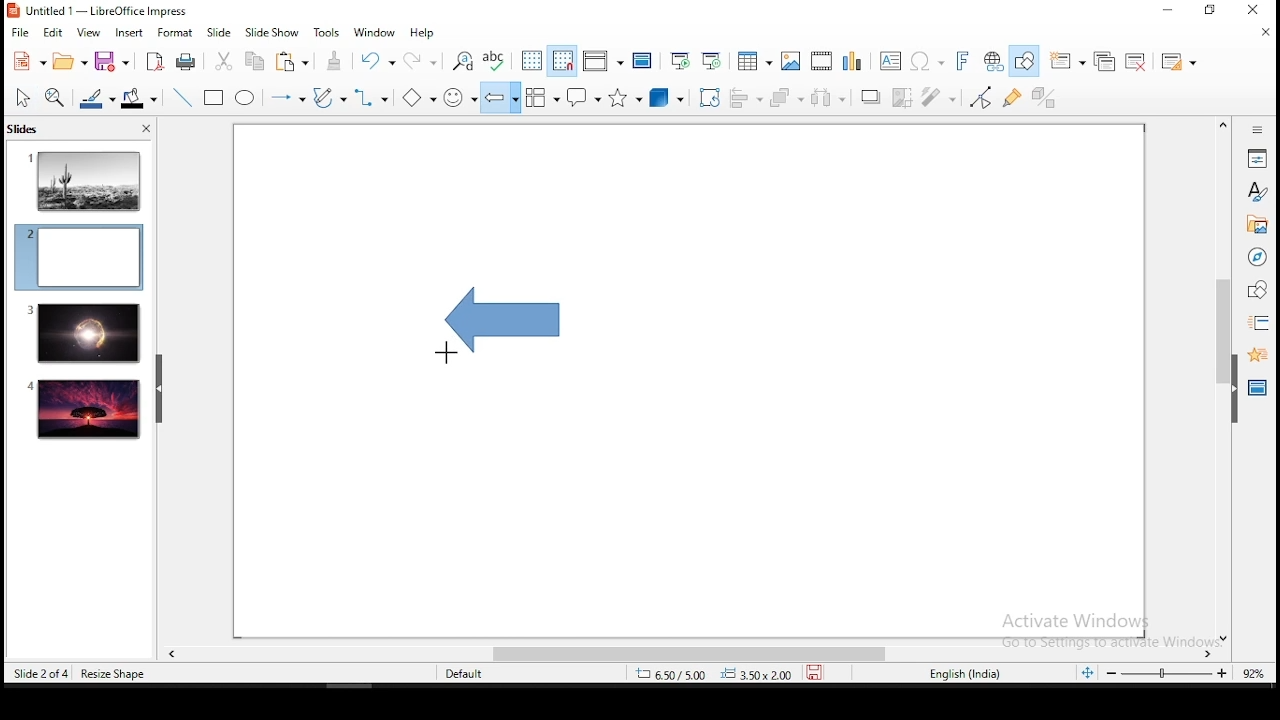 Image resolution: width=1280 pixels, height=720 pixels. I want to click on tools, so click(328, 33).